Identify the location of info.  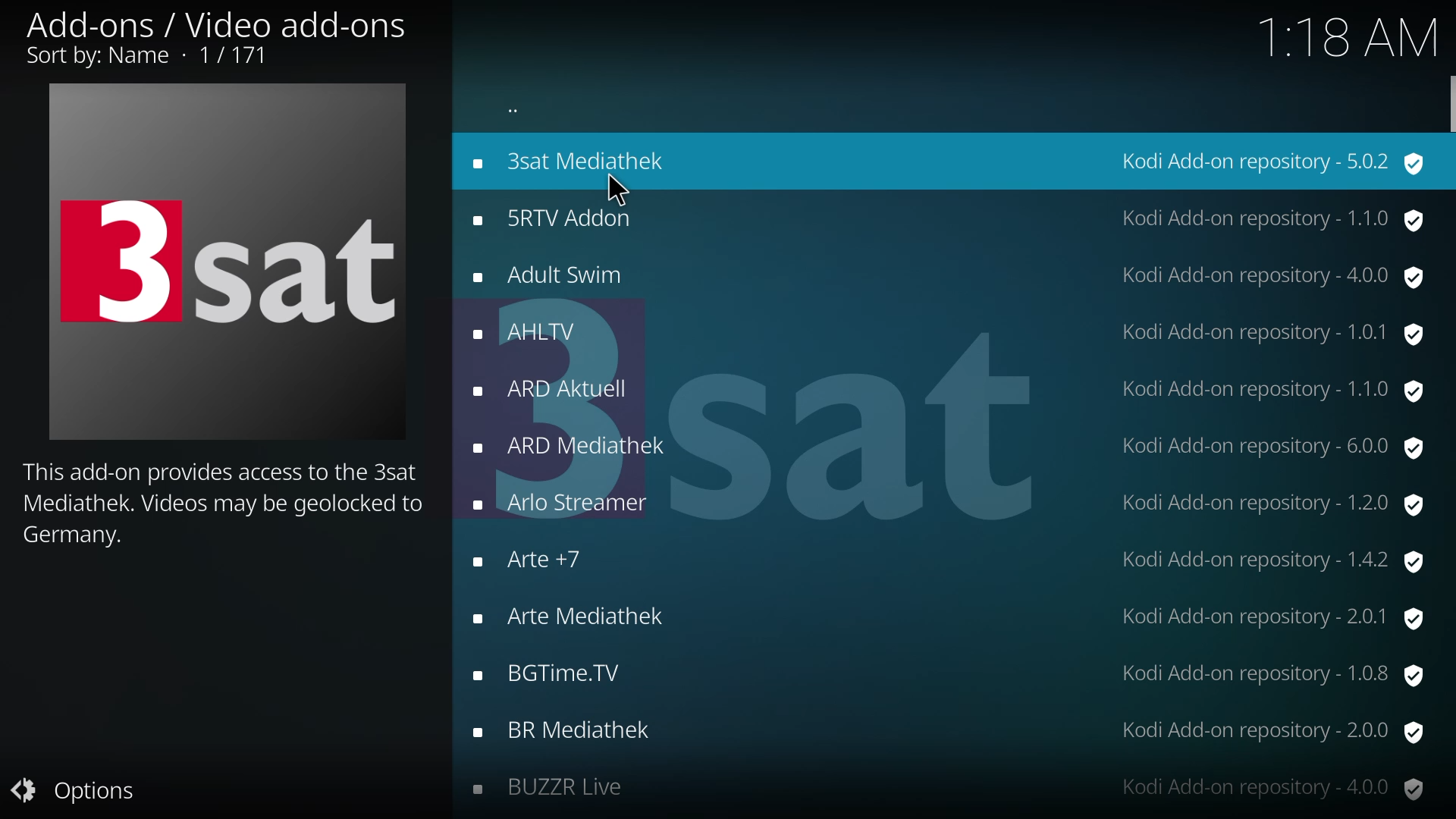
(217, 497).